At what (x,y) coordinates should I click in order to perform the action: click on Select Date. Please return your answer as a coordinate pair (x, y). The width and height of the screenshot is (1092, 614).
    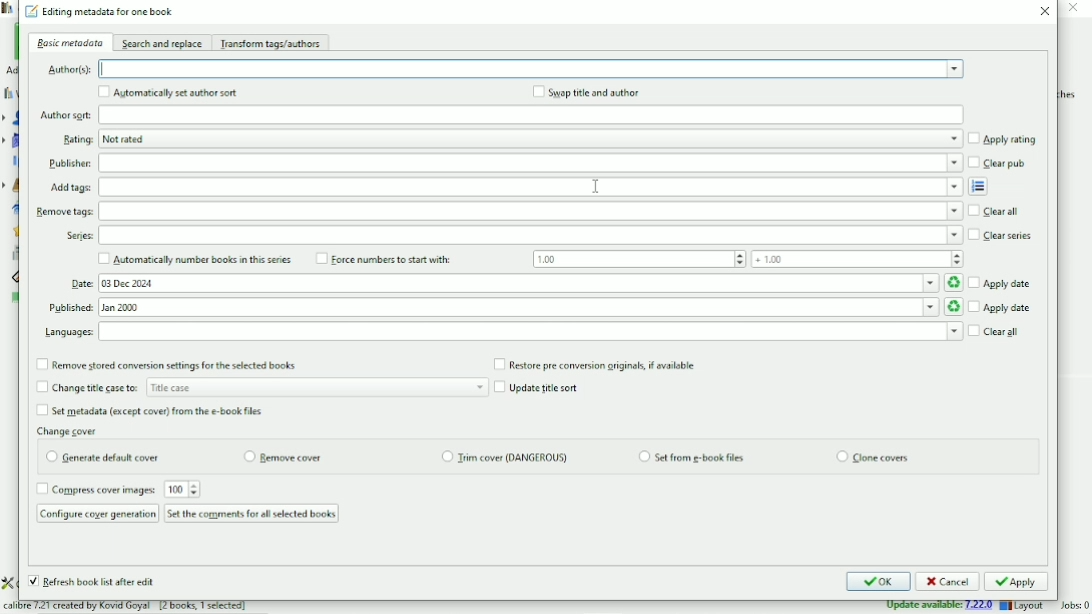
    Looking at the image, I should click on (531, 283).